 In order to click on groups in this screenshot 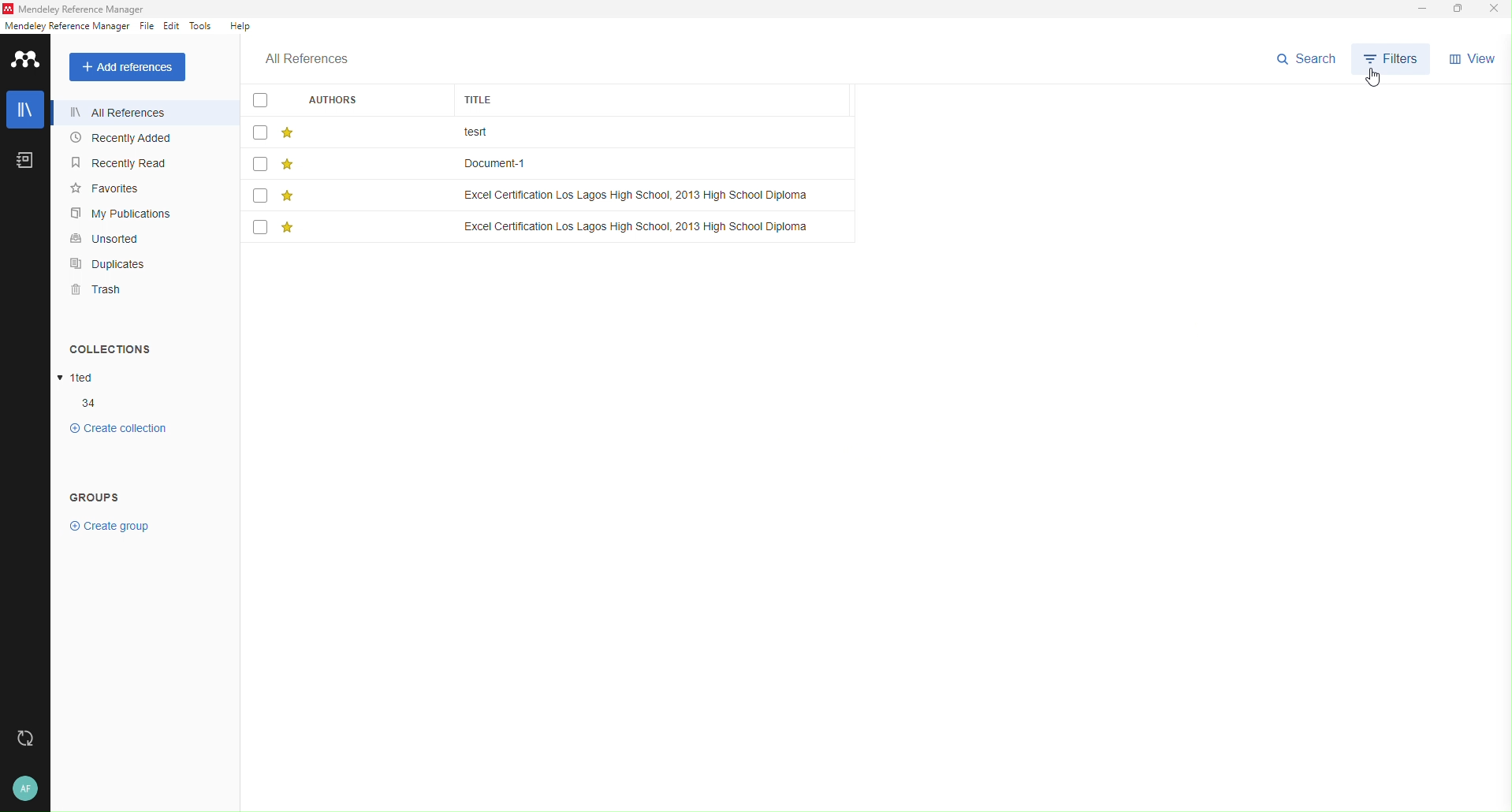, I will do `click(98, 496)`.